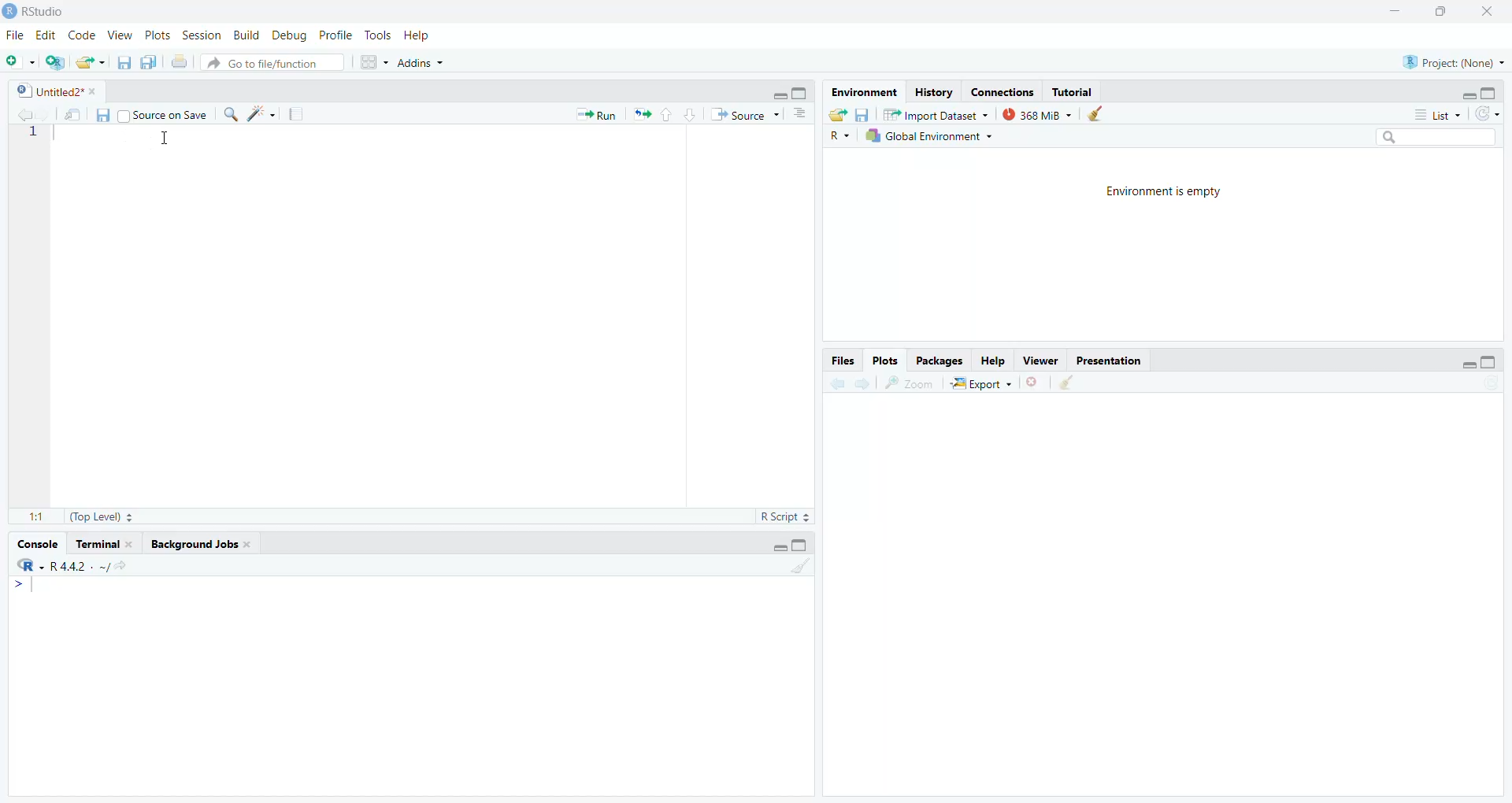 Image resolution: width=1512 pixels, height=803 pixels. What do you see at coordinates (57, 63) in the screenshot?
I see `add script` at bounding box center [57, 63].